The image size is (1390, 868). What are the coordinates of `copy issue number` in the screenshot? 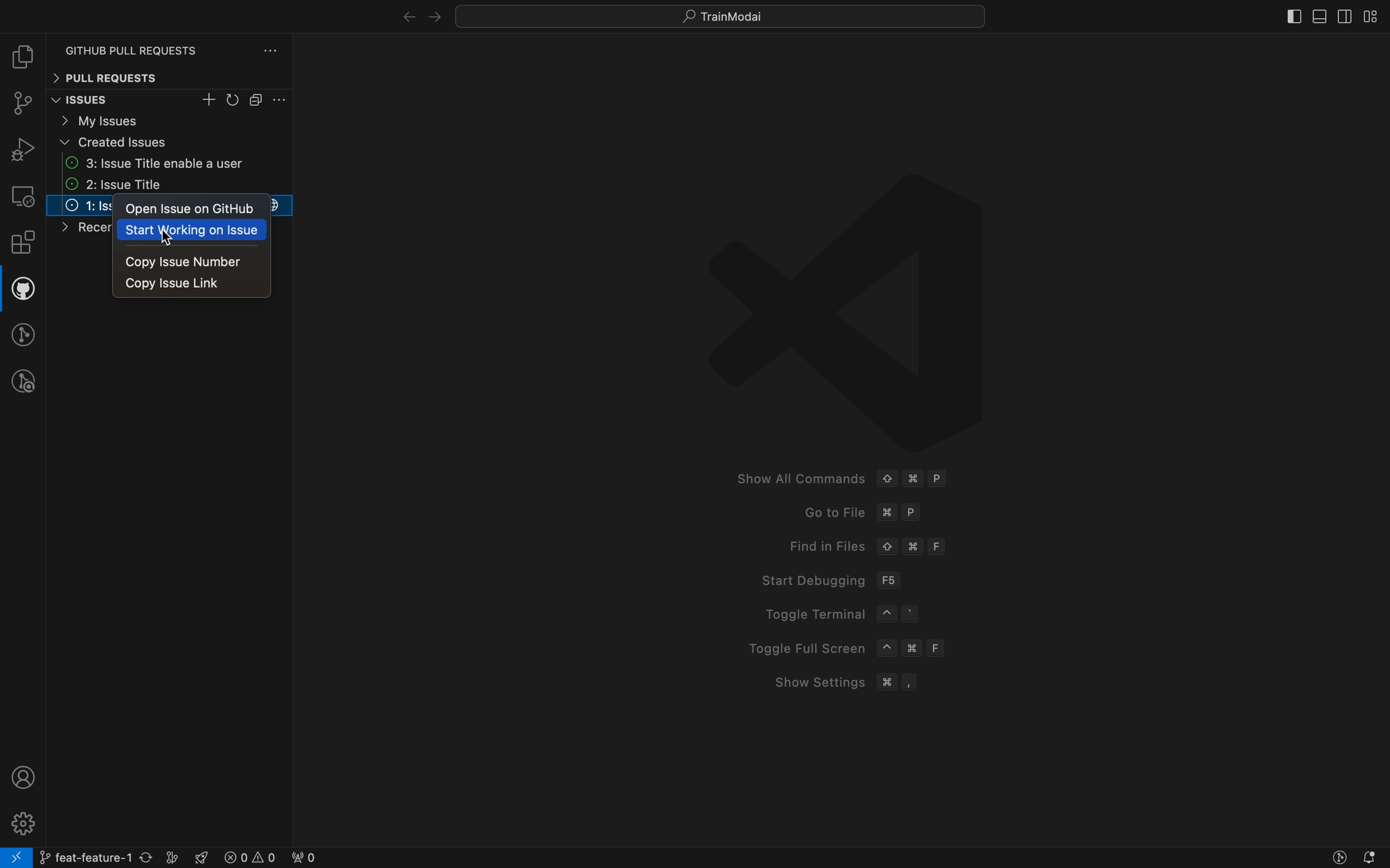 It's located at (195, 262).